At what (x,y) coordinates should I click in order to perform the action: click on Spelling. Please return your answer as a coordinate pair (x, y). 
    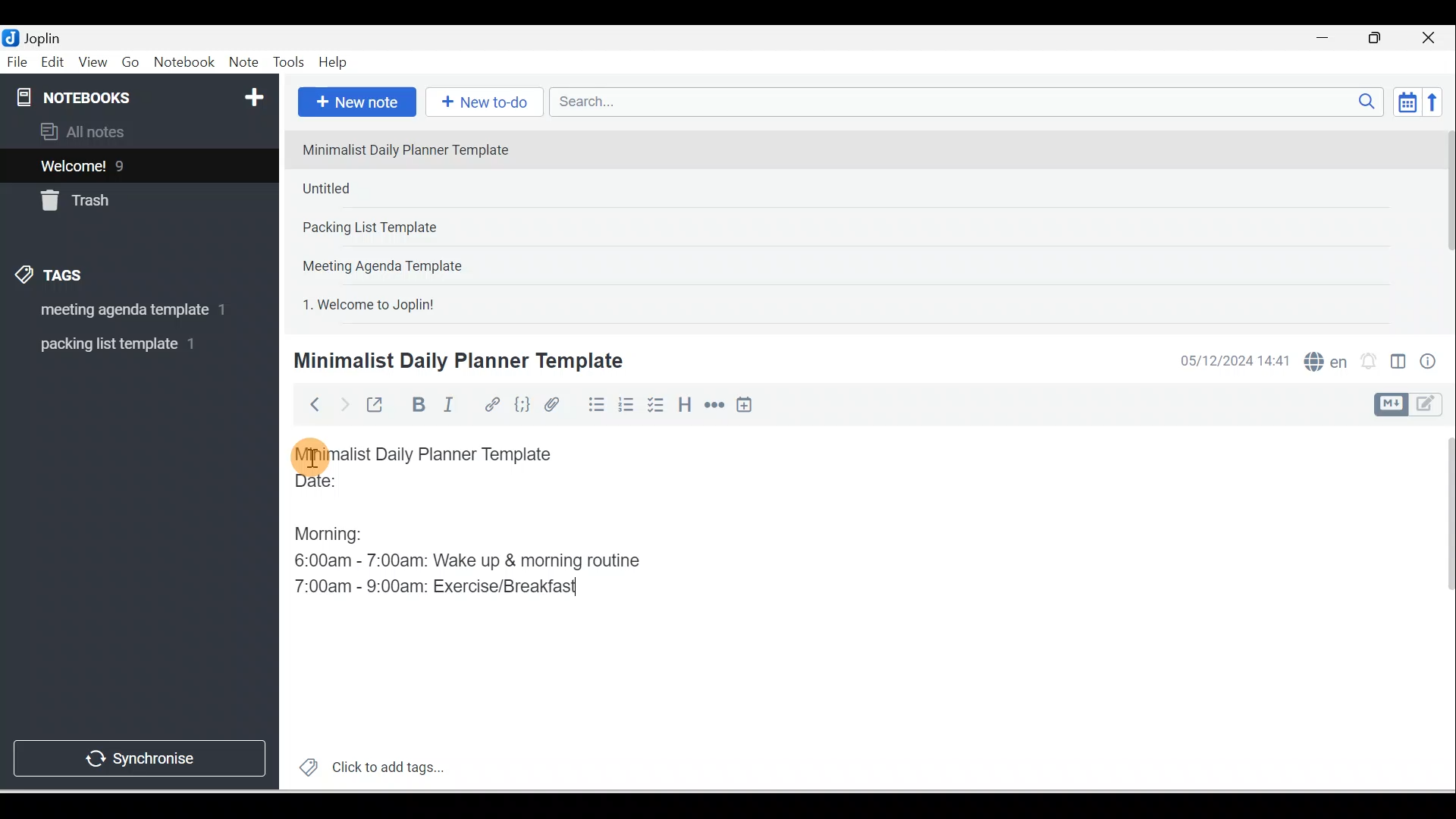
    Looking at the image, I should click on (1323, 359).